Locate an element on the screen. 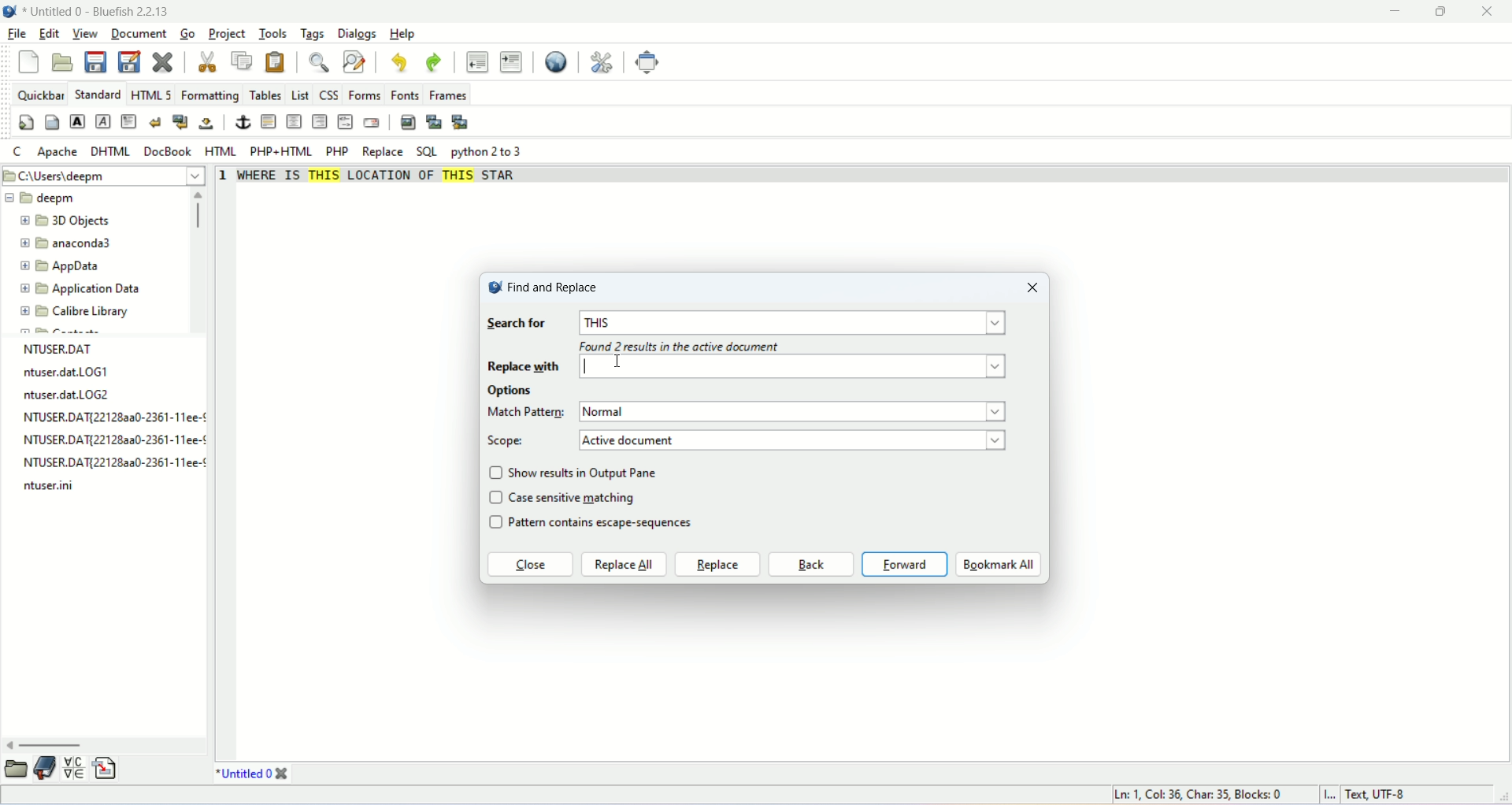 The image size is (1512, 805). Ln 1, Col 35, Char 35, Blocks:0 is located at coordinates (1206, 795).